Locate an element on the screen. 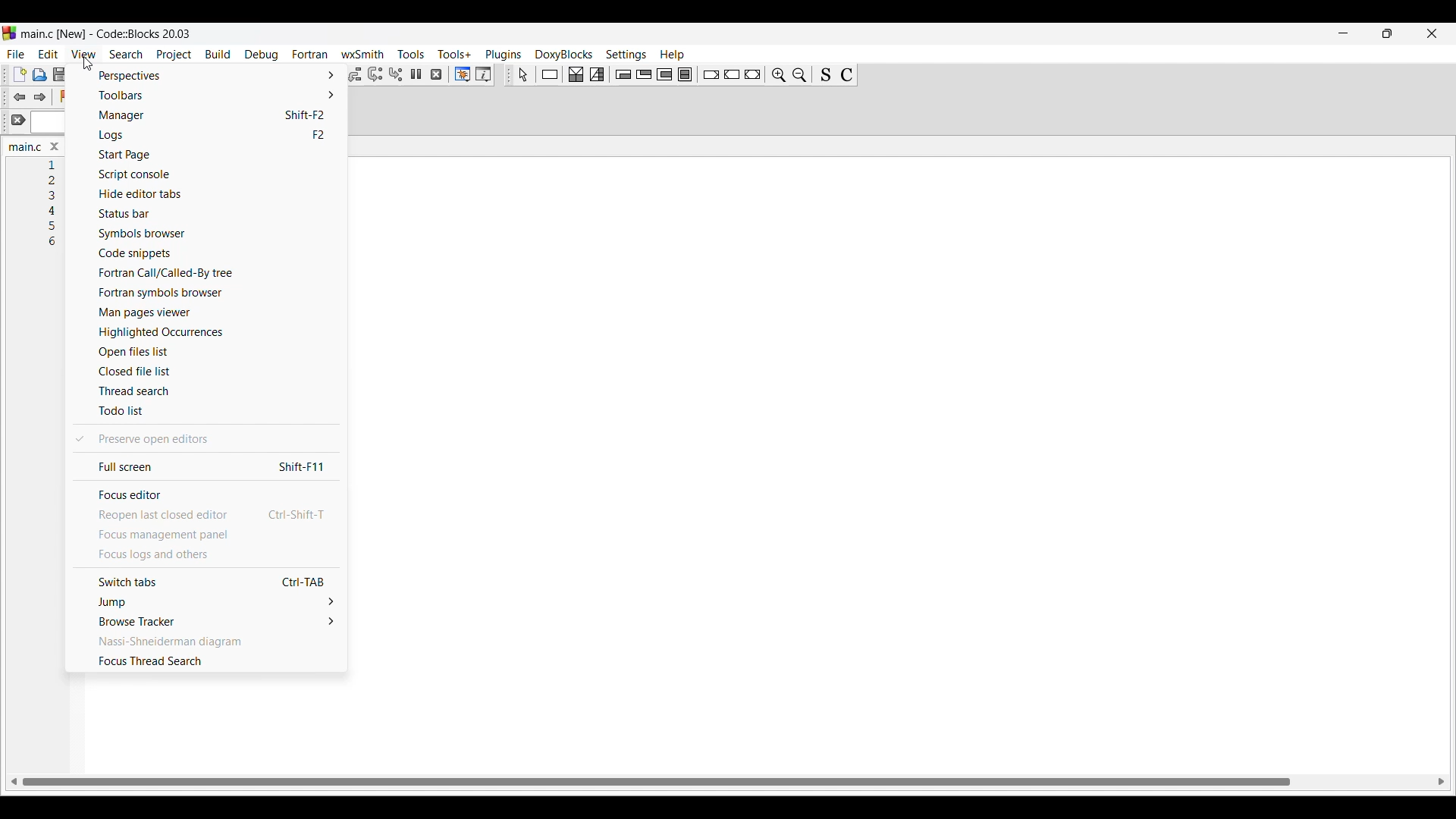 Image resolution: width=1456 pixels, height=819 pixels. Decision is located at coordinates (576, 74).